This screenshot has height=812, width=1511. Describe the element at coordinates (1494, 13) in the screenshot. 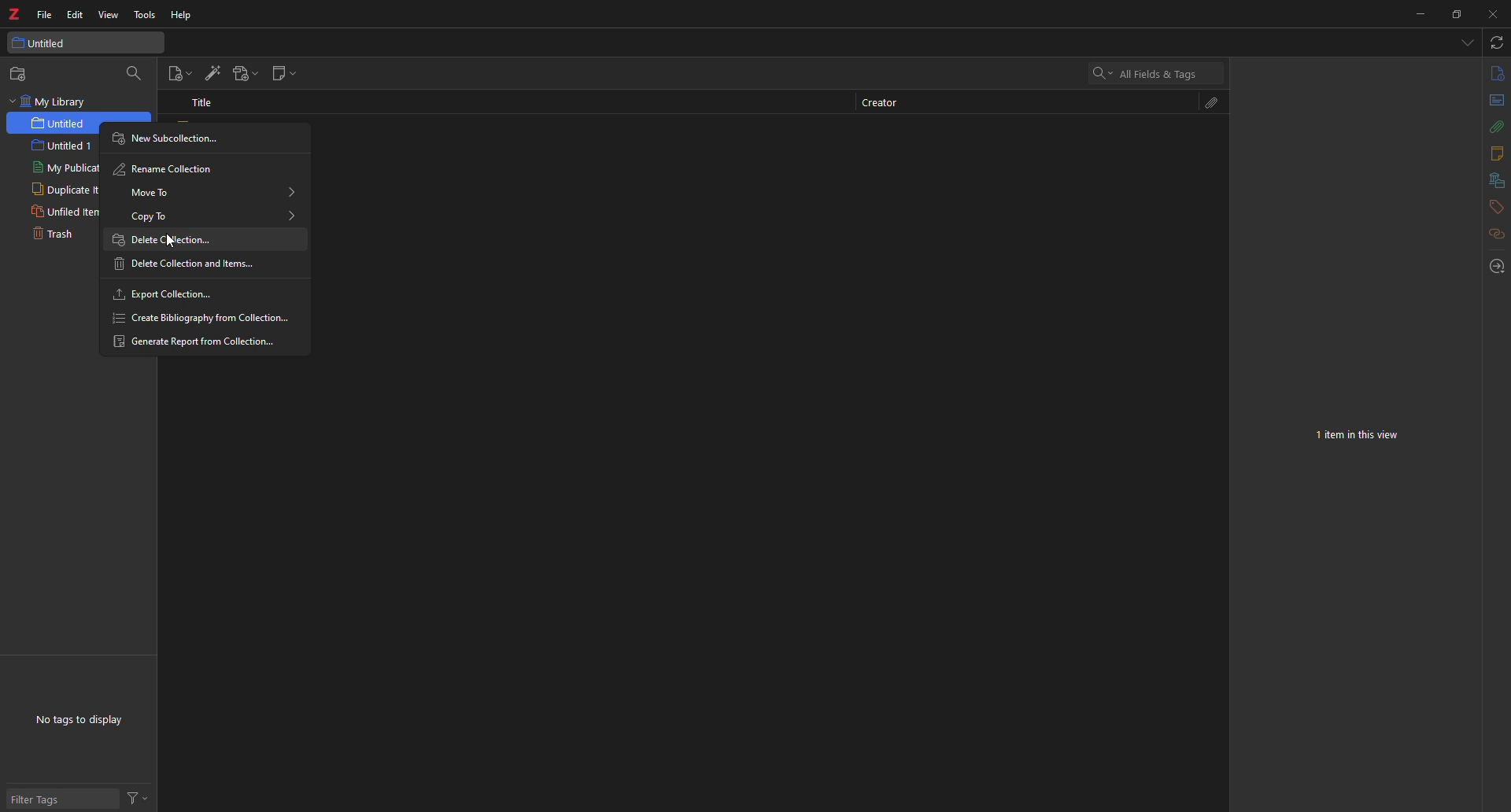

I see `close` at that location.